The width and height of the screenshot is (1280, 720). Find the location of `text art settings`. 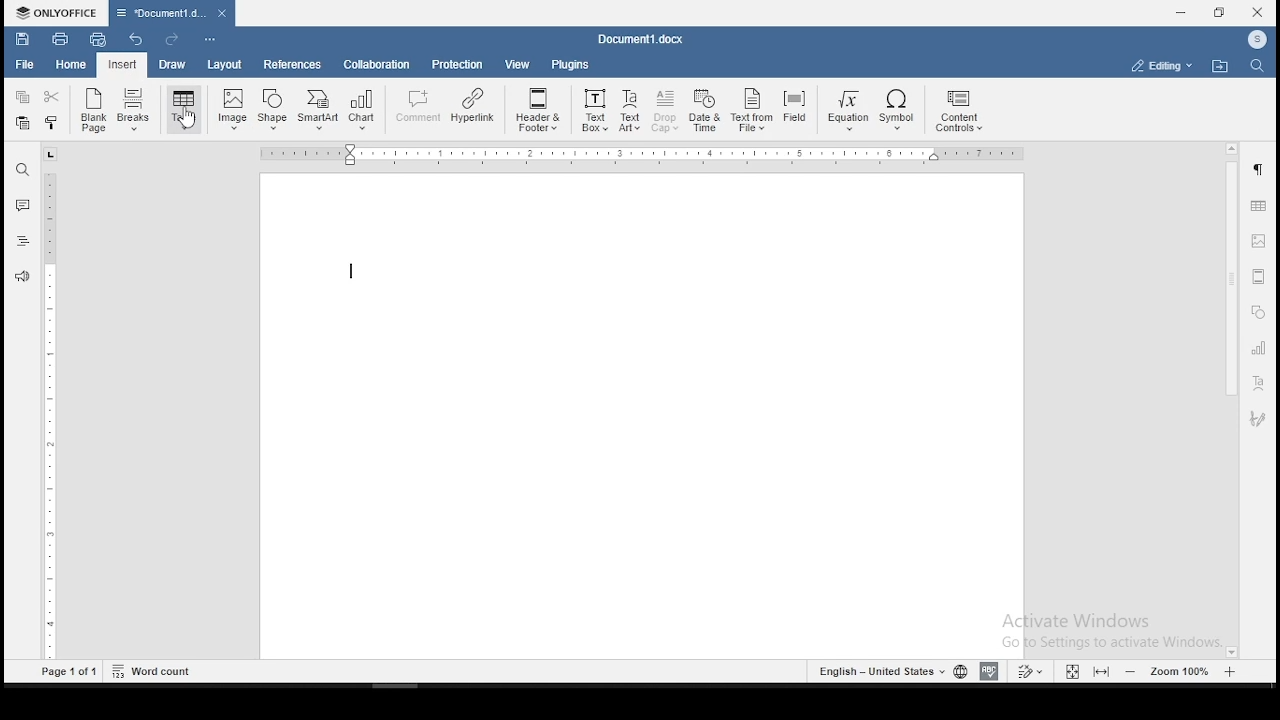

text art settings is located at coordinates (1258, 385).